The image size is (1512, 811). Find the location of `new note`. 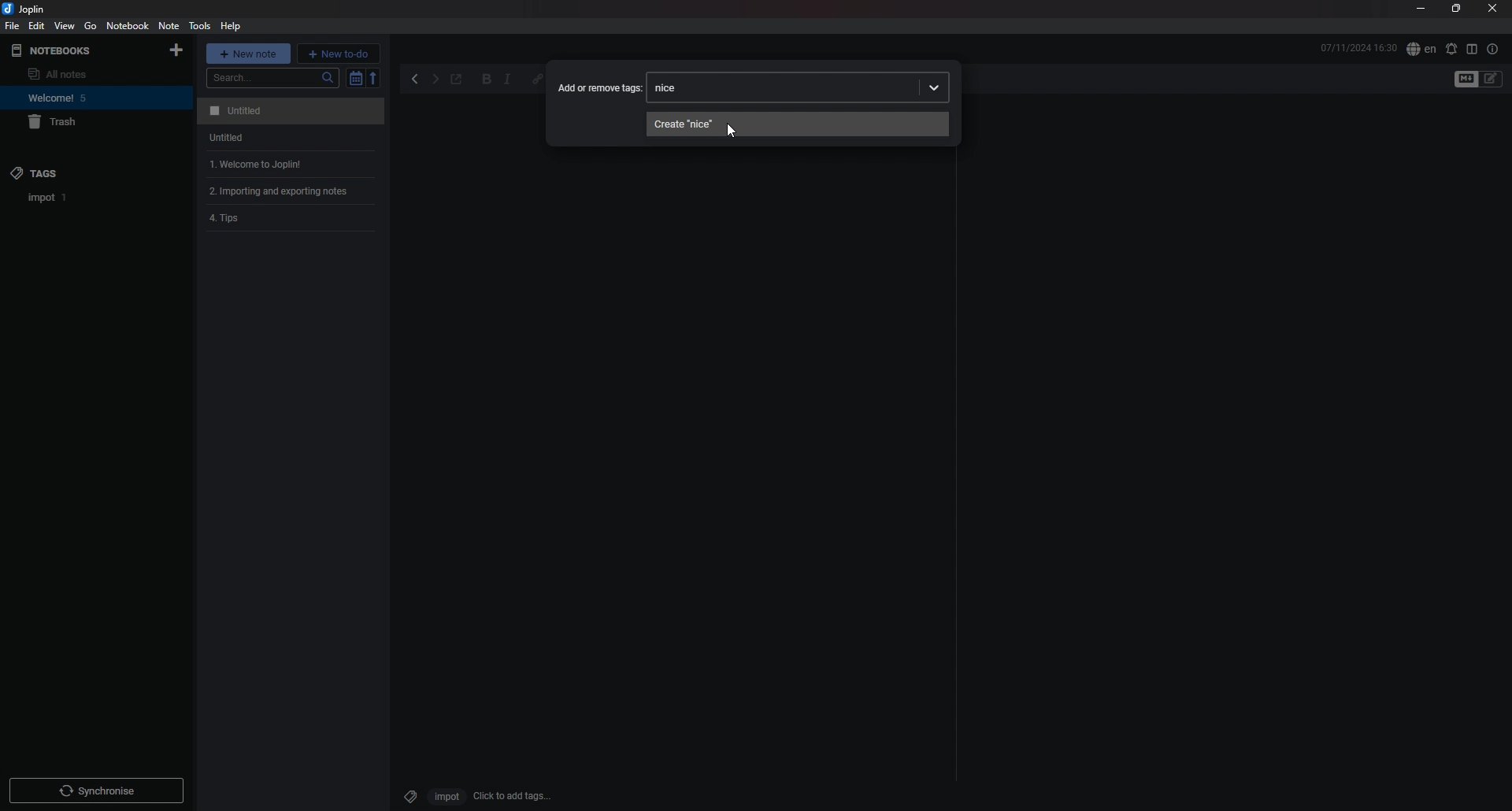

new note is located at coordinates (249, 53).